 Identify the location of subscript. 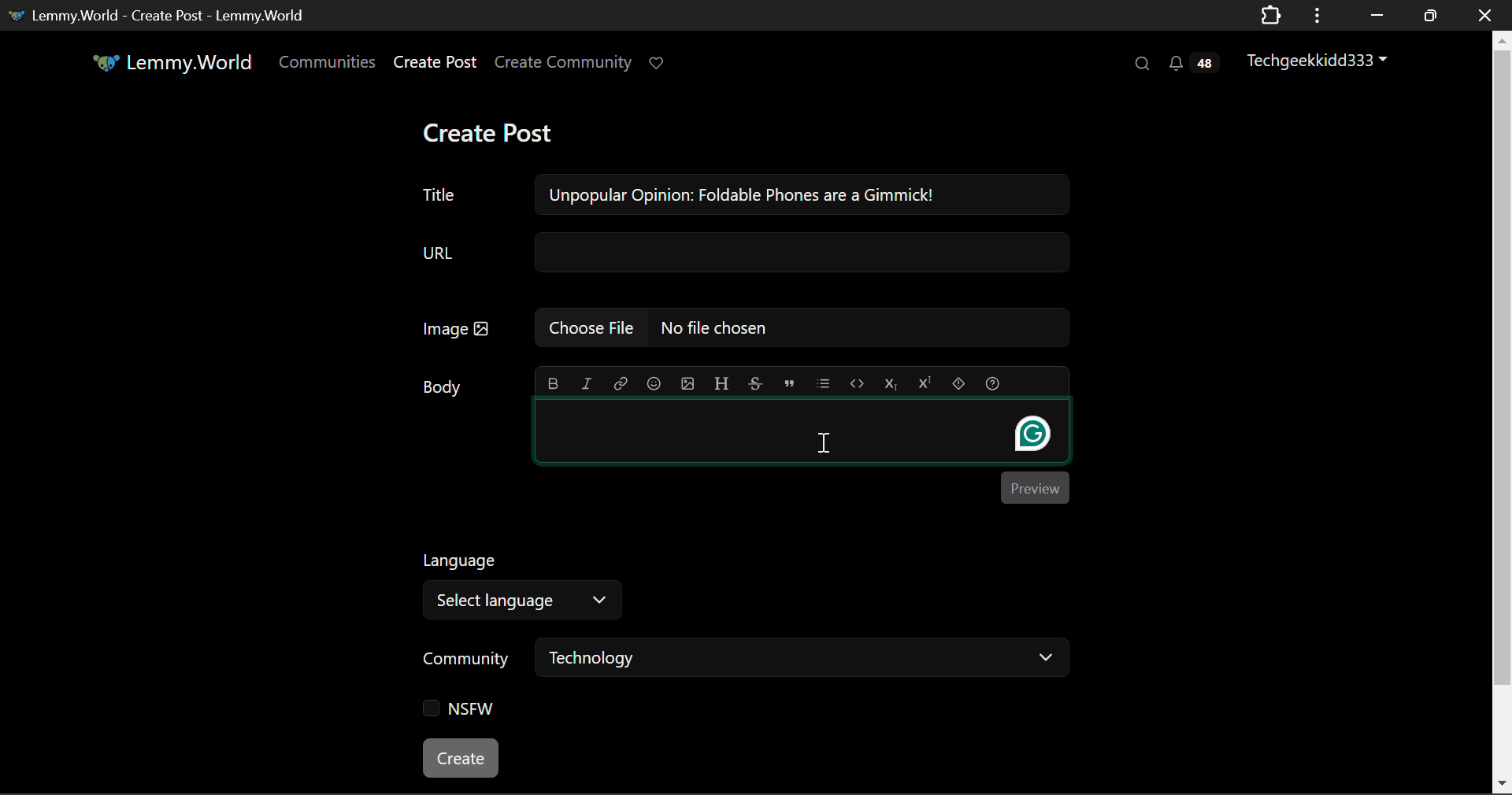
(891, 382).